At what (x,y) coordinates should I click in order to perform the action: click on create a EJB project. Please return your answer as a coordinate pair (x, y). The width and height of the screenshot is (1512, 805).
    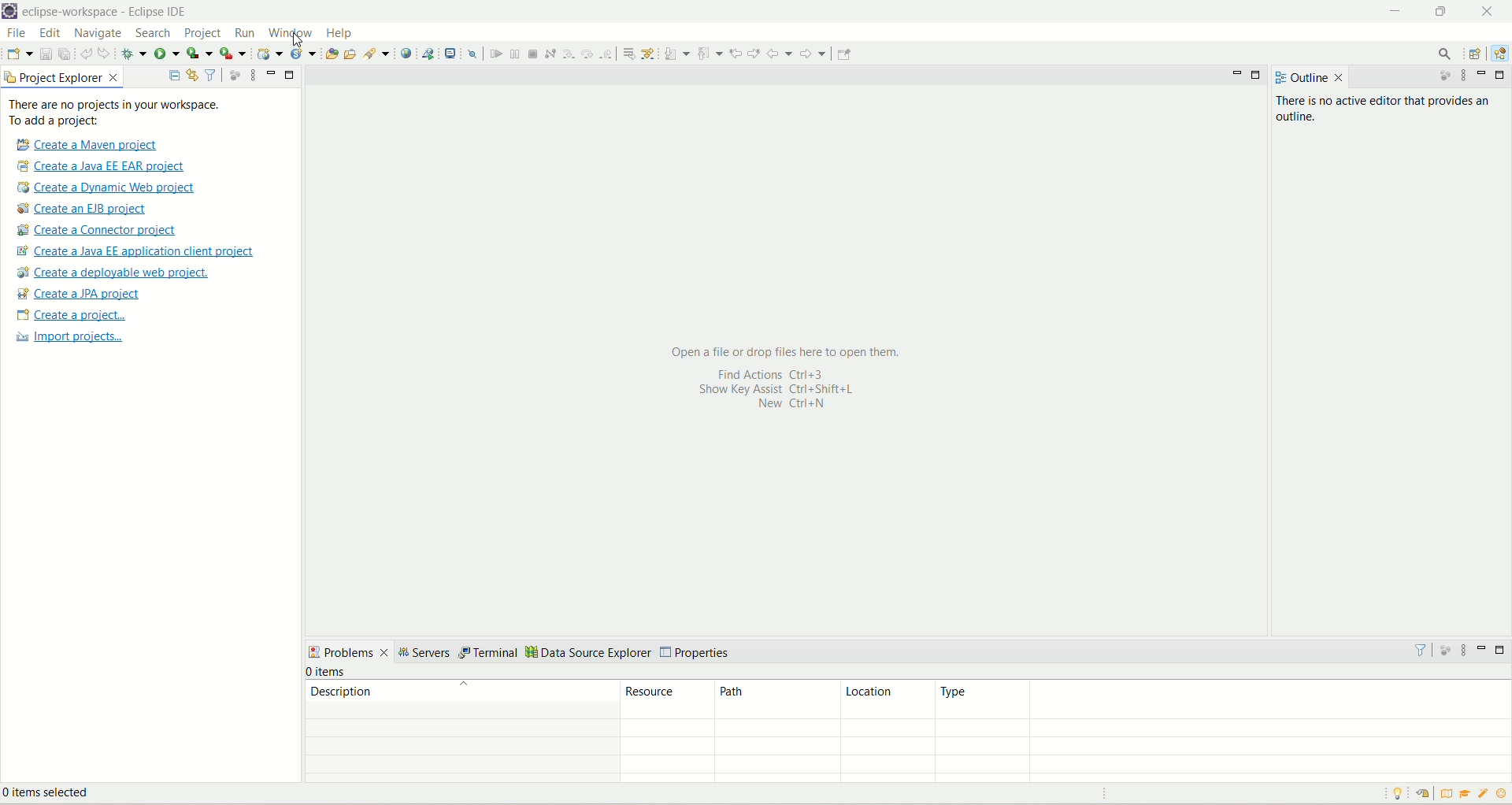
    Looking at the image, I should click on (92, 209).